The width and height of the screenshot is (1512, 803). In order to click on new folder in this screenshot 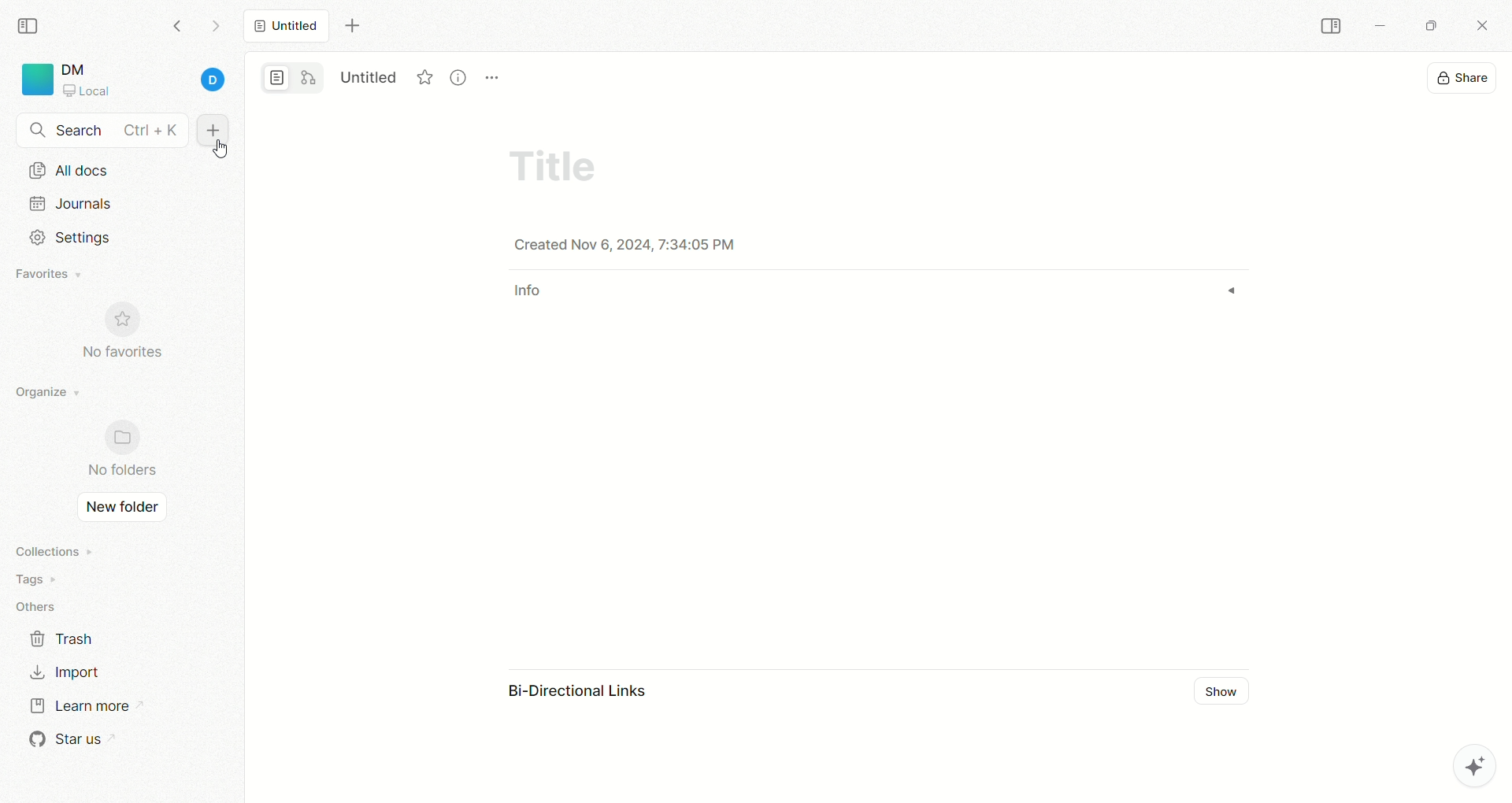, I will do `click(117, 509)`.